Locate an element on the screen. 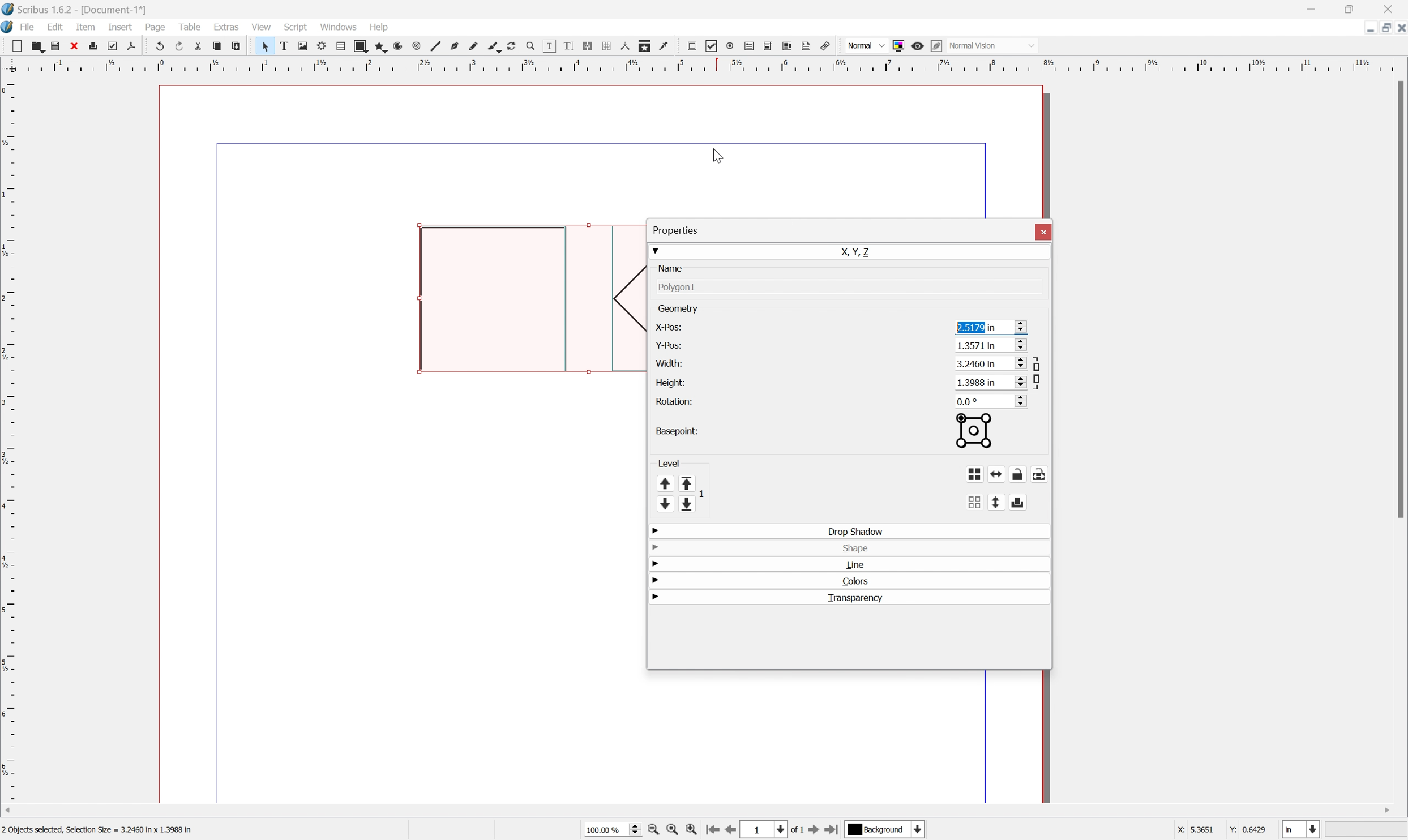  pdf combo box is located at coordinates (768, 46).